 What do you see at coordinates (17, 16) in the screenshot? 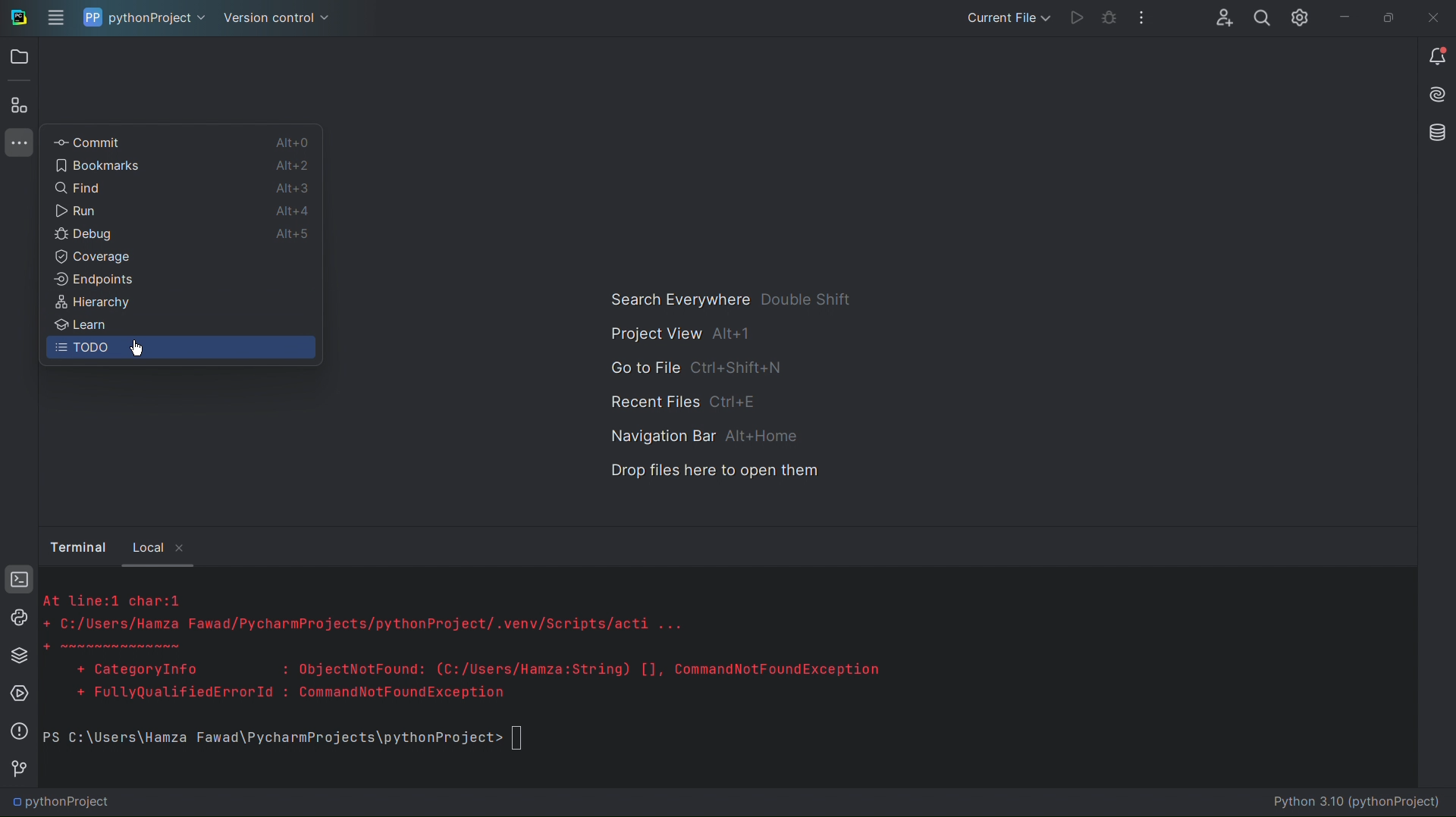
I see `Logo` at bounding box center [17, 16].